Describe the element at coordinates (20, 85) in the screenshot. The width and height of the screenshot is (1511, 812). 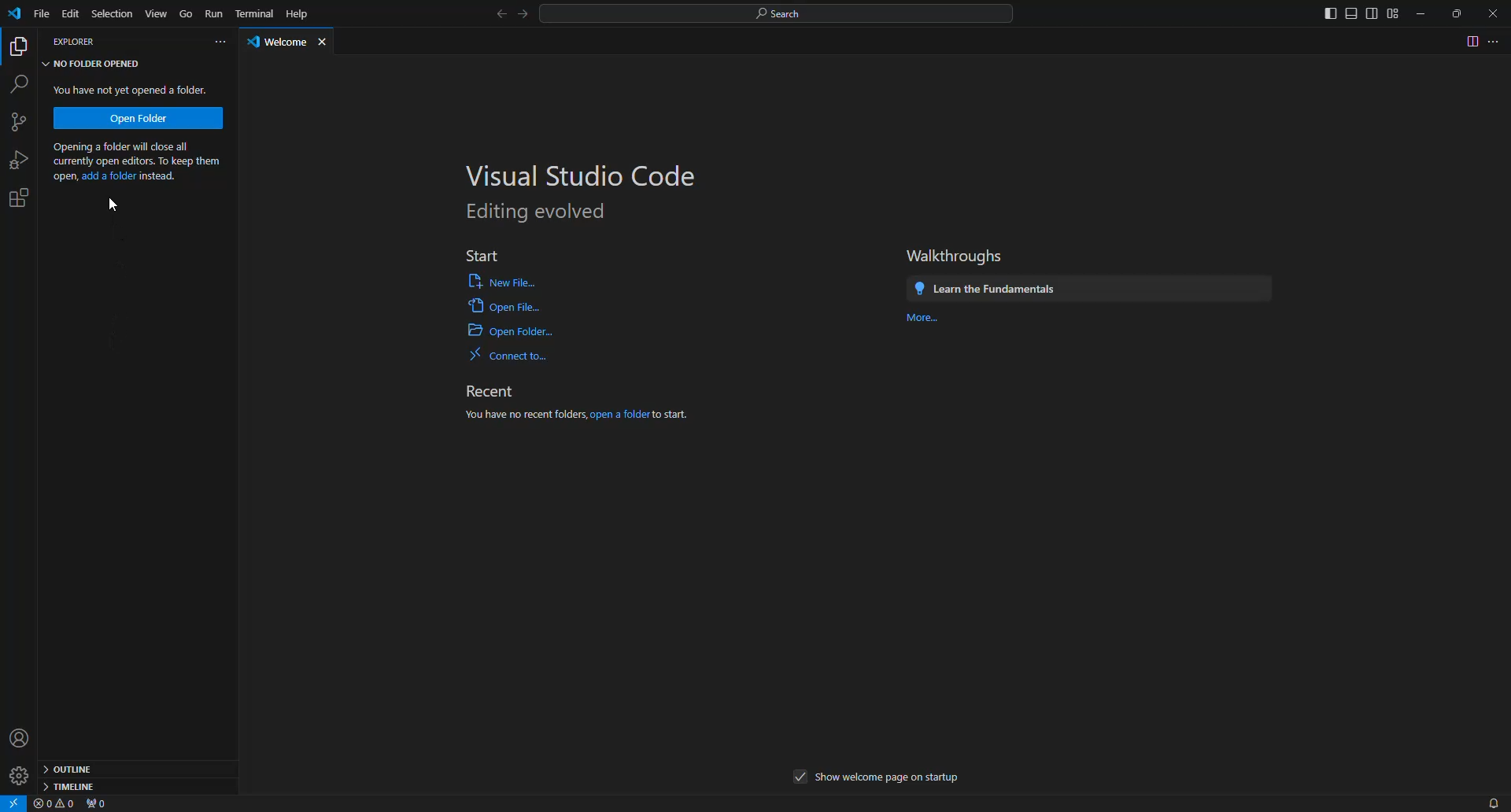
I see `search` at that location.